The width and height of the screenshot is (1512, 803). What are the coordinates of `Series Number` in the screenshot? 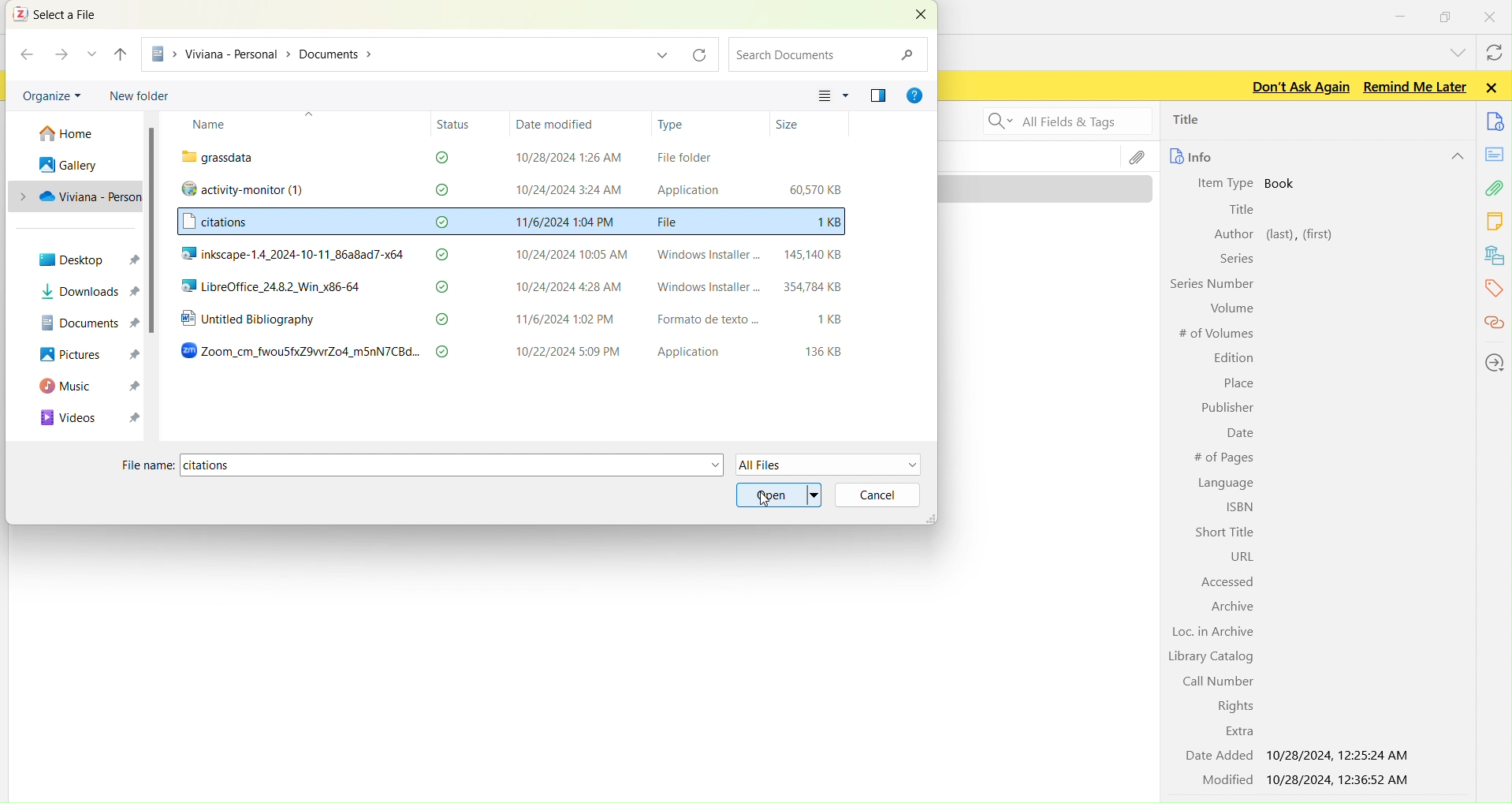 It's located at (1211, 285).